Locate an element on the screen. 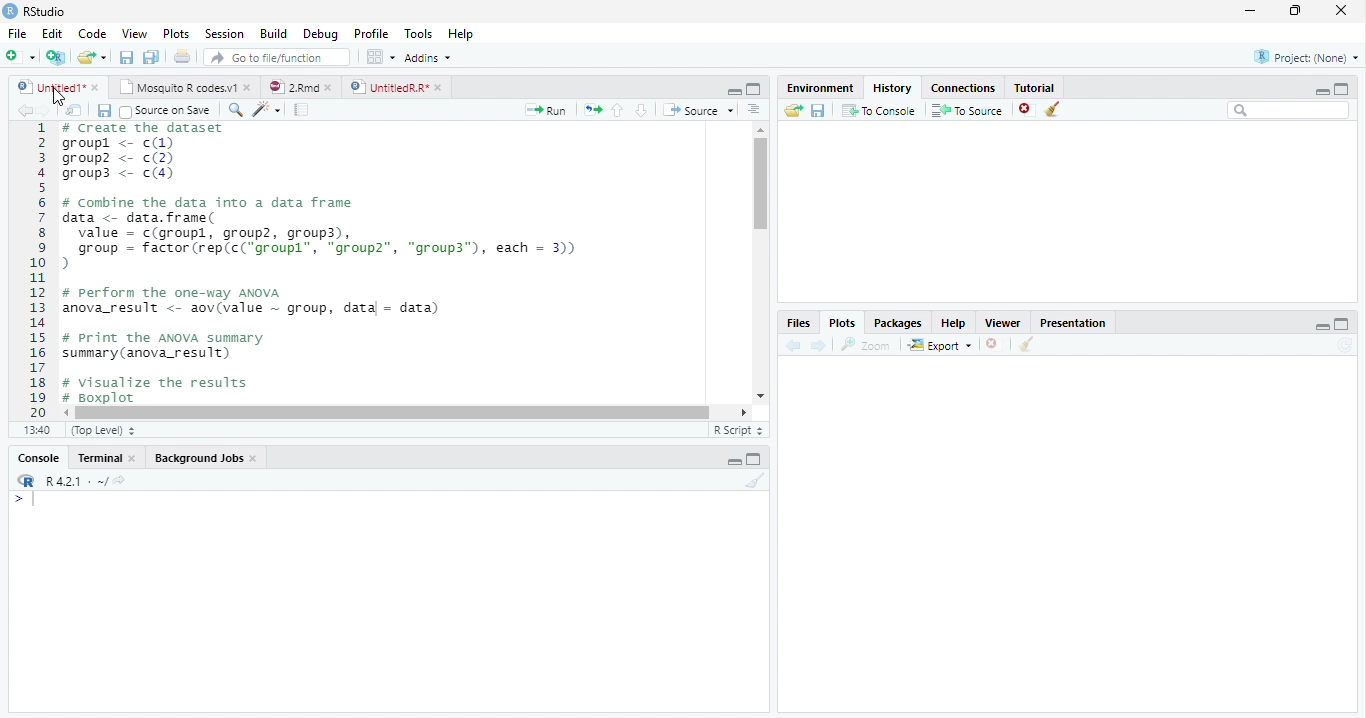 The image size is (1366, 718). Go to next section  is located at coordinates (642, 110).